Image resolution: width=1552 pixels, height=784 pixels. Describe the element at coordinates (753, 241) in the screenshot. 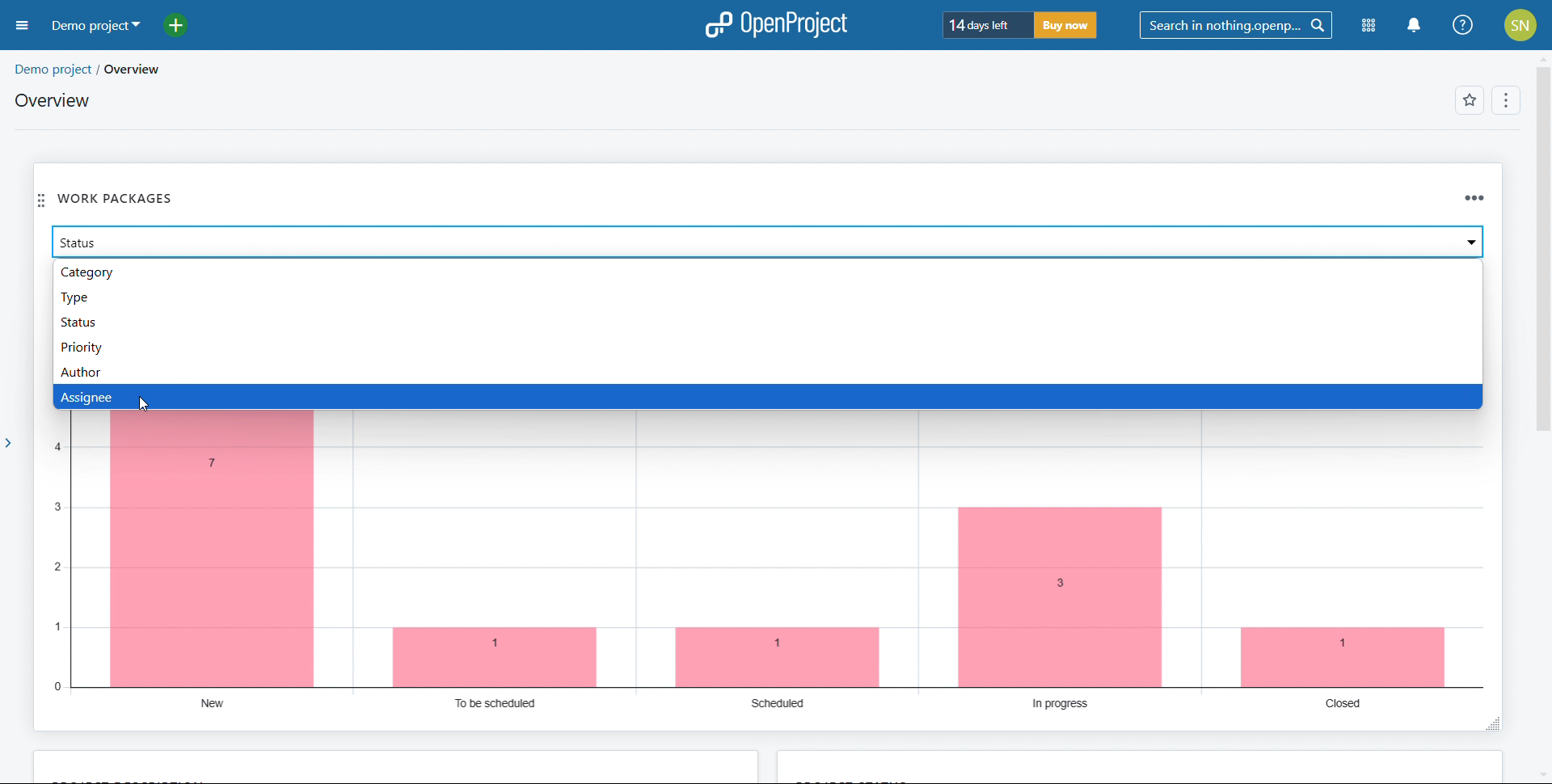

I see `select attribute` at that location.